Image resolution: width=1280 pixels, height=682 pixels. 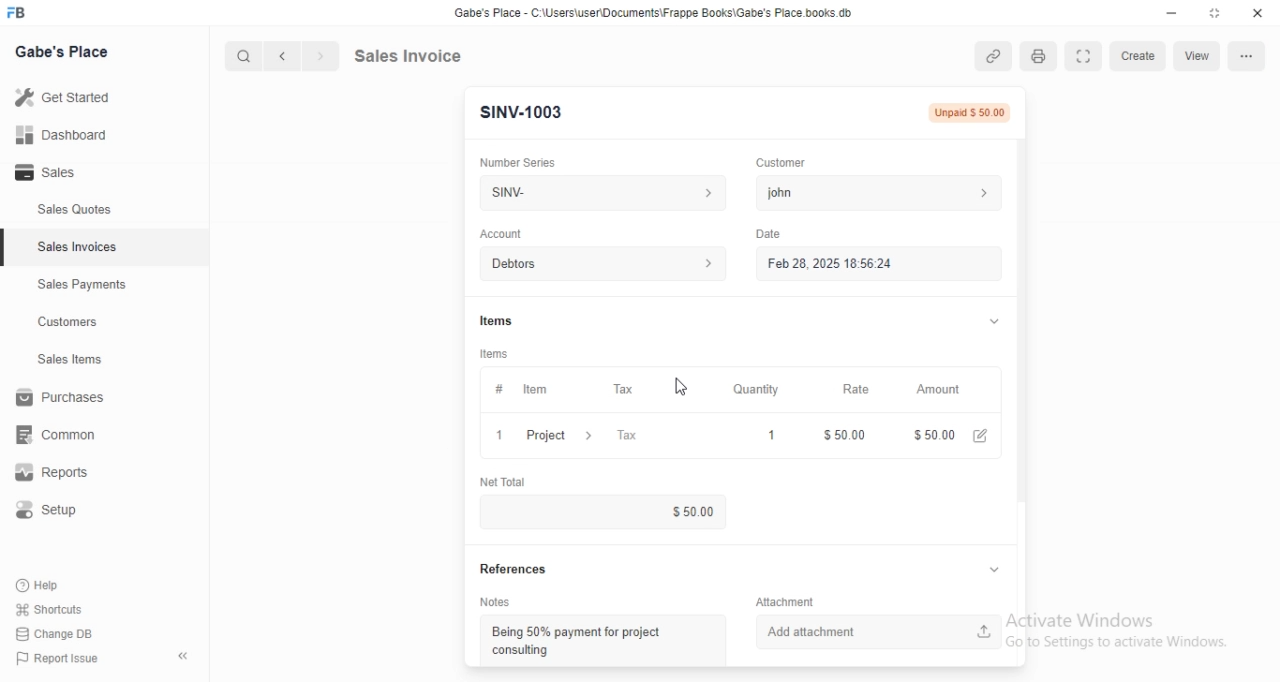 I want to click on SINV-1003, so click(x=528, y=112).